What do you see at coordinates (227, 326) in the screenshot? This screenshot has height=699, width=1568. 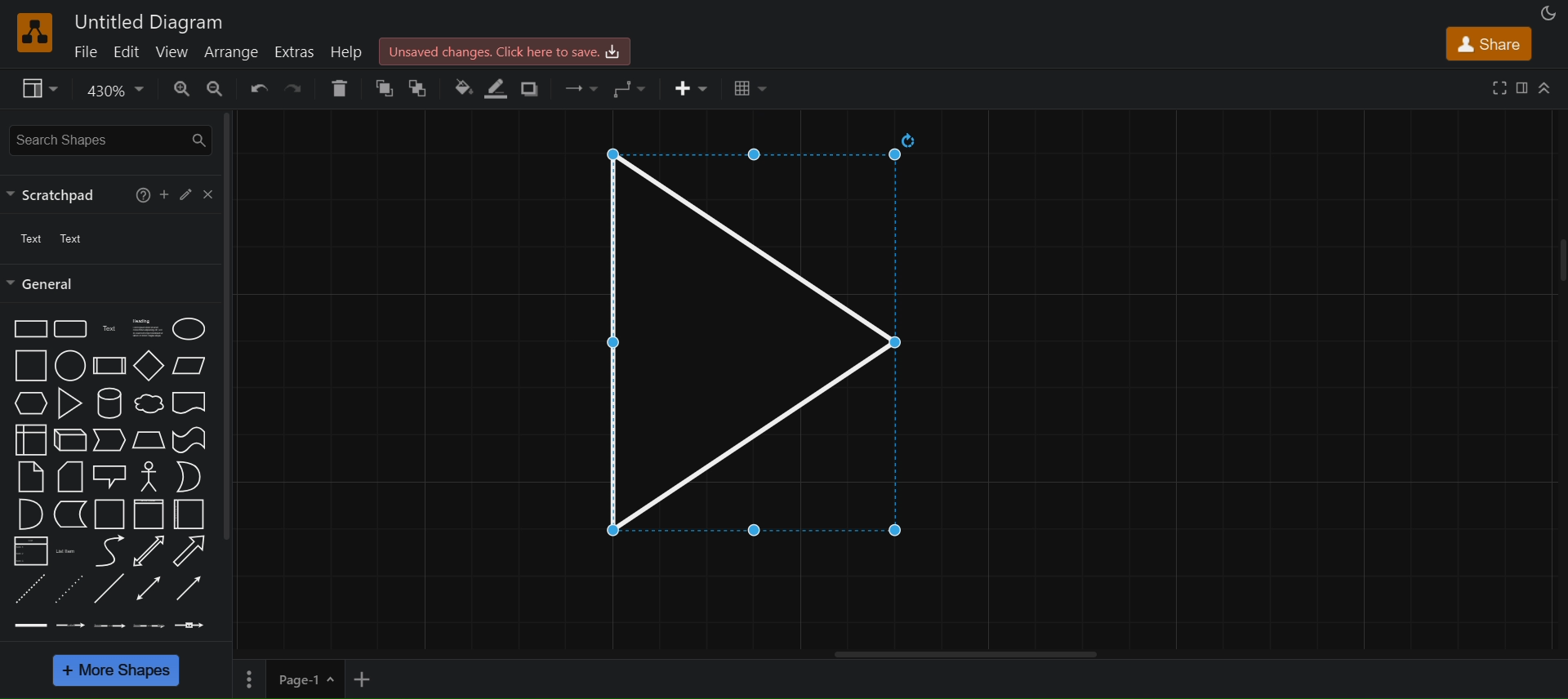 I see `vertical scroll bar` at bounding box center [227, 326].